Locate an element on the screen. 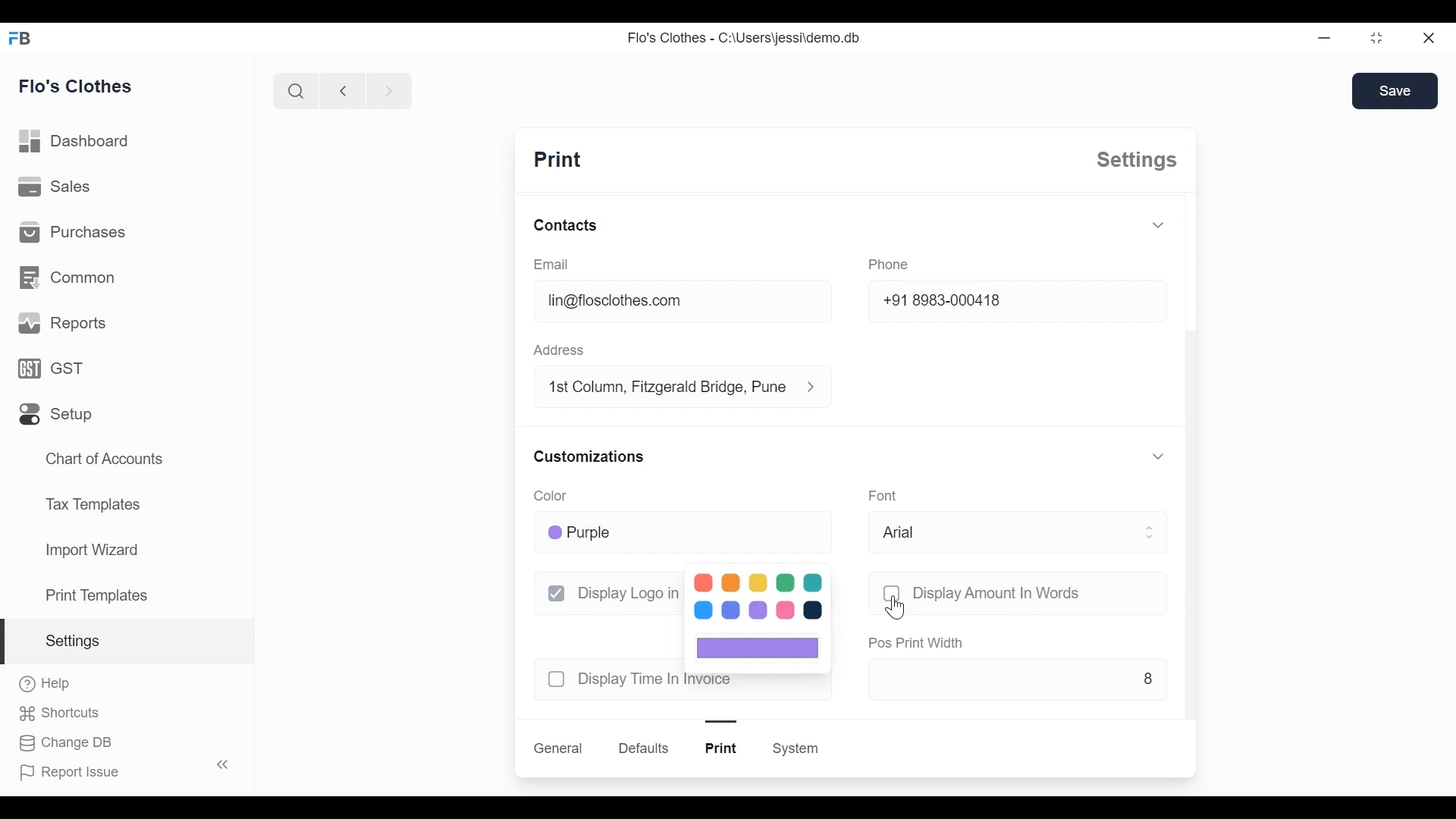 This screenshot has width=1456, height=819. color 9 is located at coordinates (786, 610).